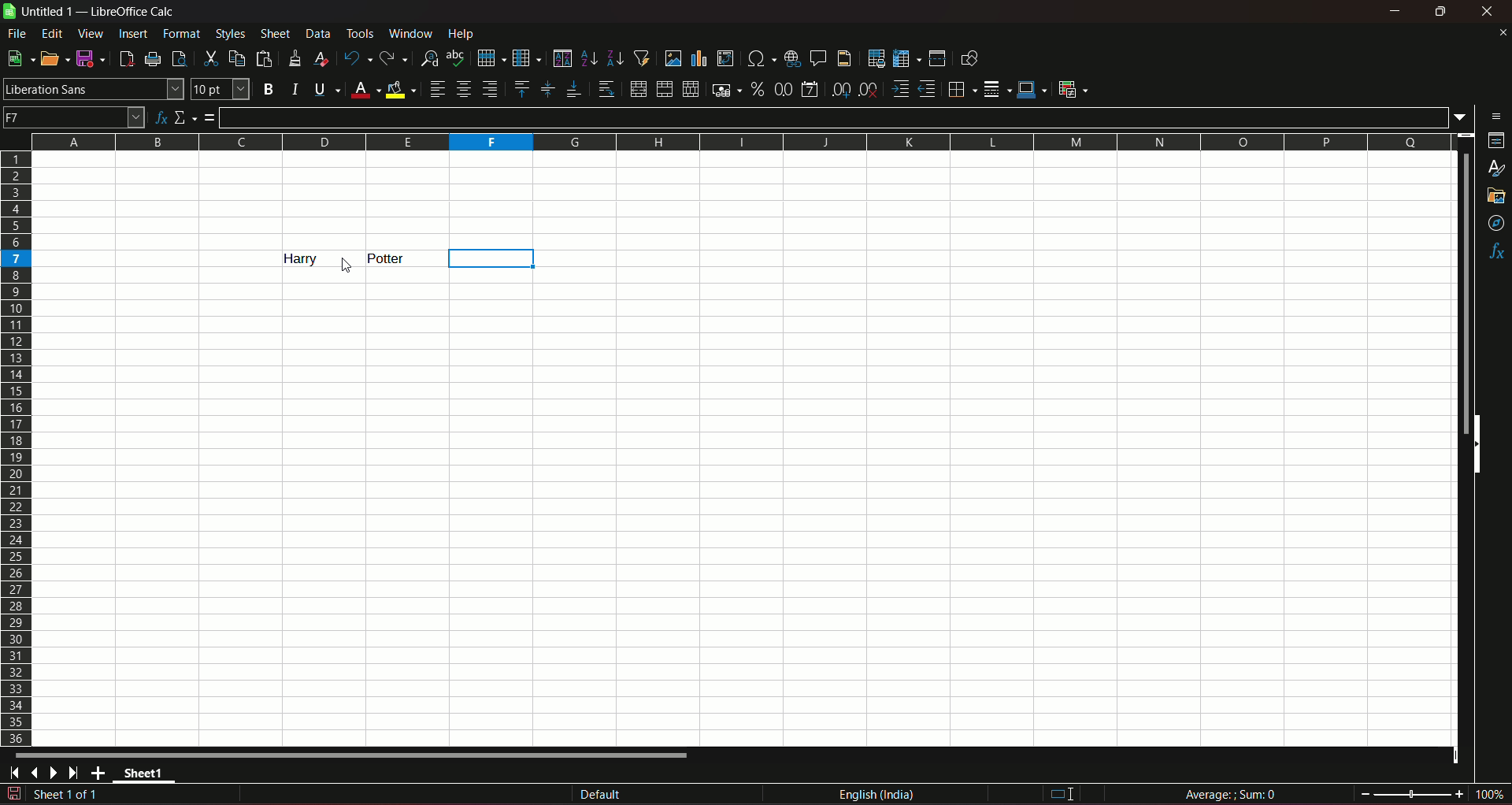 This screenshot has height=805, width=1512. Describe the element at coordinates (186, 117) in the screenshot. I see `select function` at that location.